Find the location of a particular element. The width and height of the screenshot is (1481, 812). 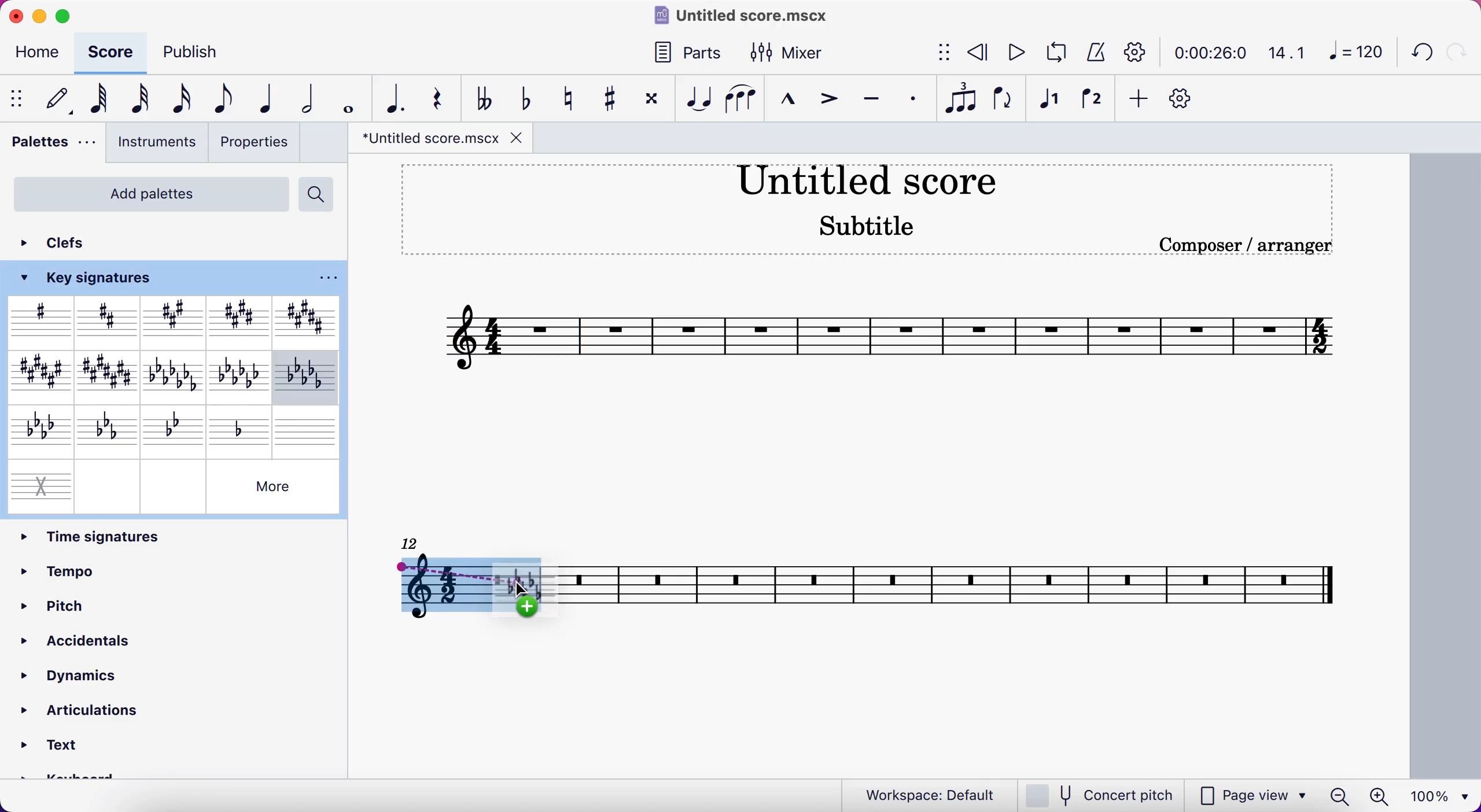

concert pitch is located at coordinates (1099, 794).